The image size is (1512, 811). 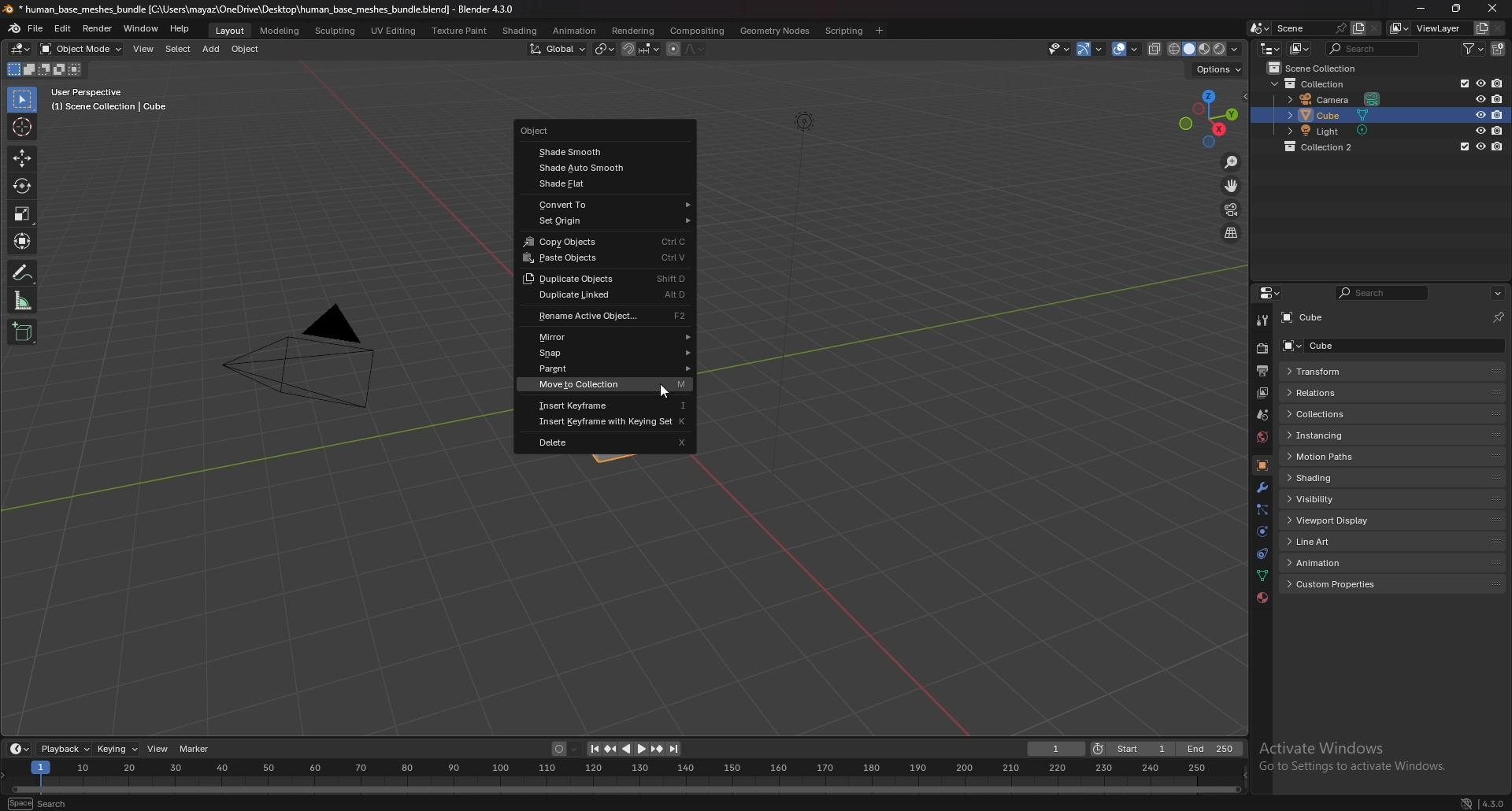 I want to click on close, so click(x=1491, y=8).